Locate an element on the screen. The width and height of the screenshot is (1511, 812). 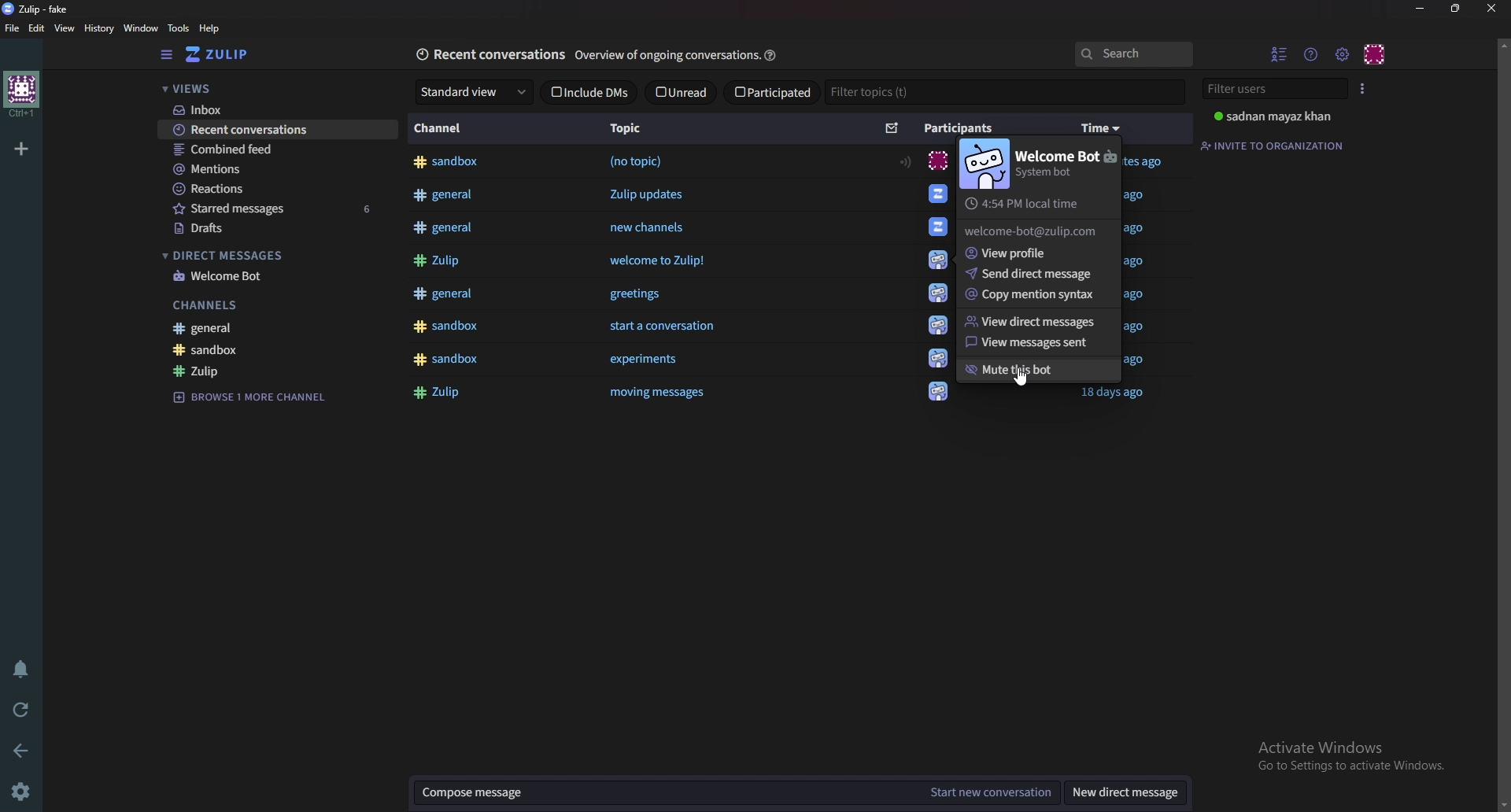
(no topic) is located at coordinates (639, 161).